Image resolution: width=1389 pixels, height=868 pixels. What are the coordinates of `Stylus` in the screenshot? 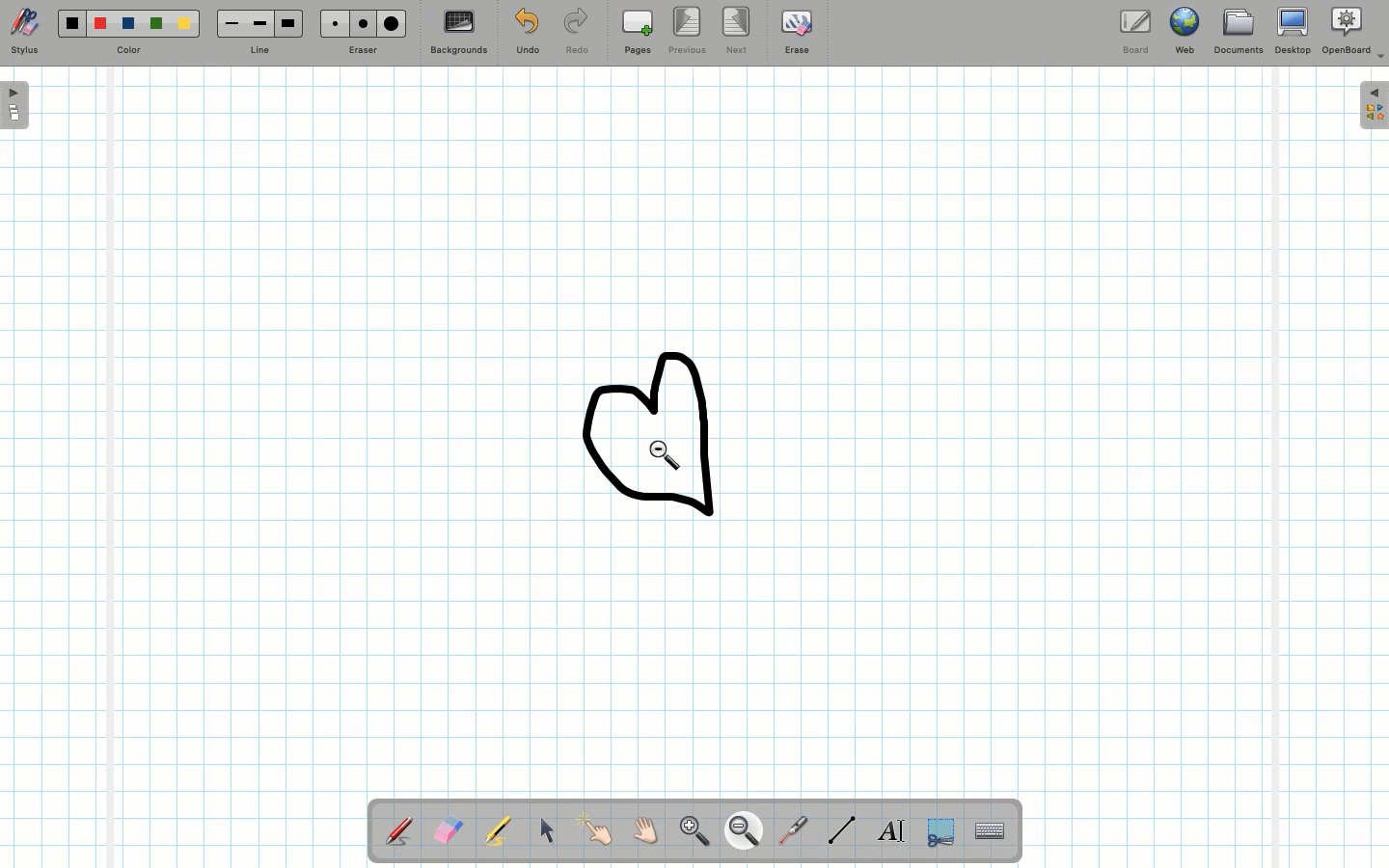 It's located at (26, 32).